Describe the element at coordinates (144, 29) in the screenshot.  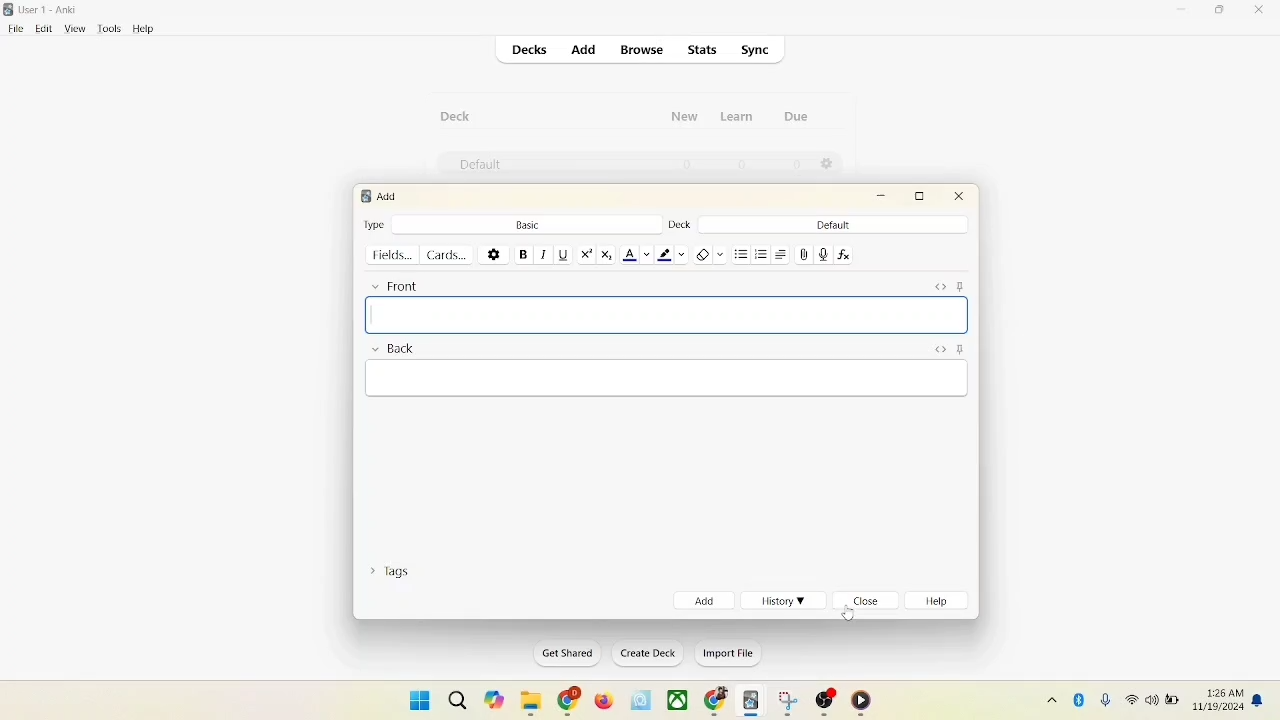
I see `help` at that location.